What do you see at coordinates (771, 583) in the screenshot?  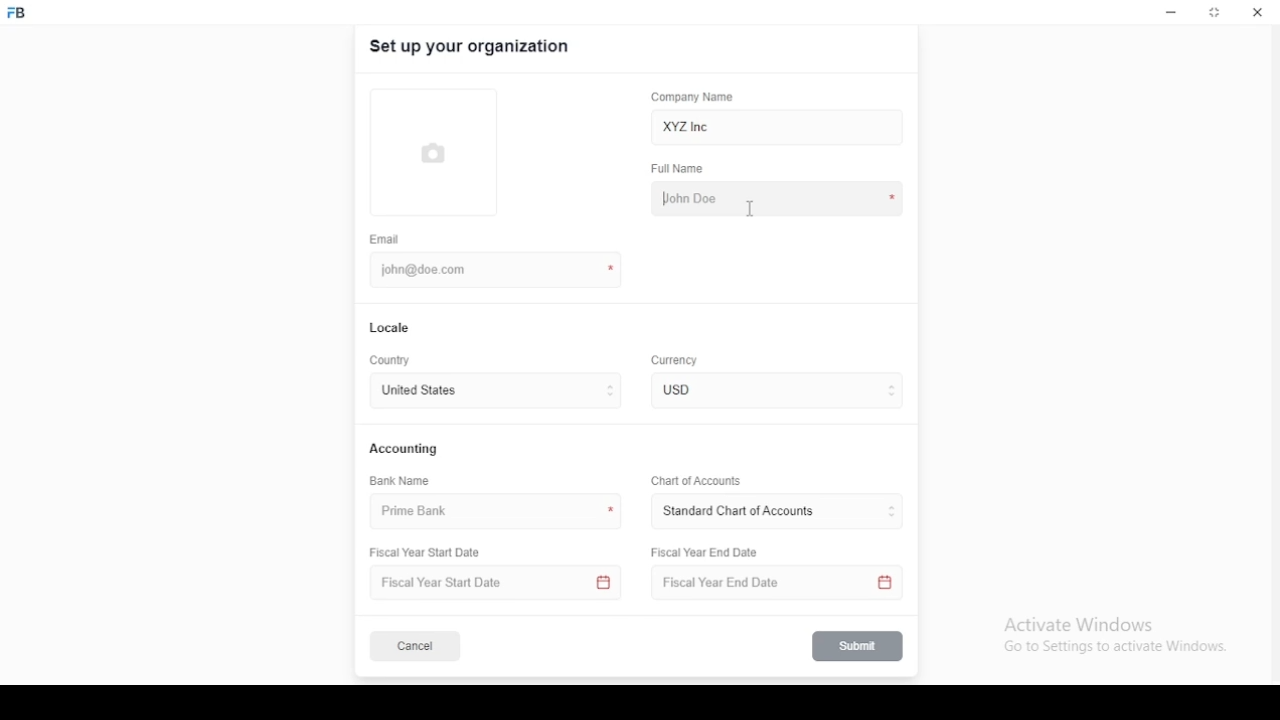 I see `Fiscal Year End Date` at bounding box center [771, 583].